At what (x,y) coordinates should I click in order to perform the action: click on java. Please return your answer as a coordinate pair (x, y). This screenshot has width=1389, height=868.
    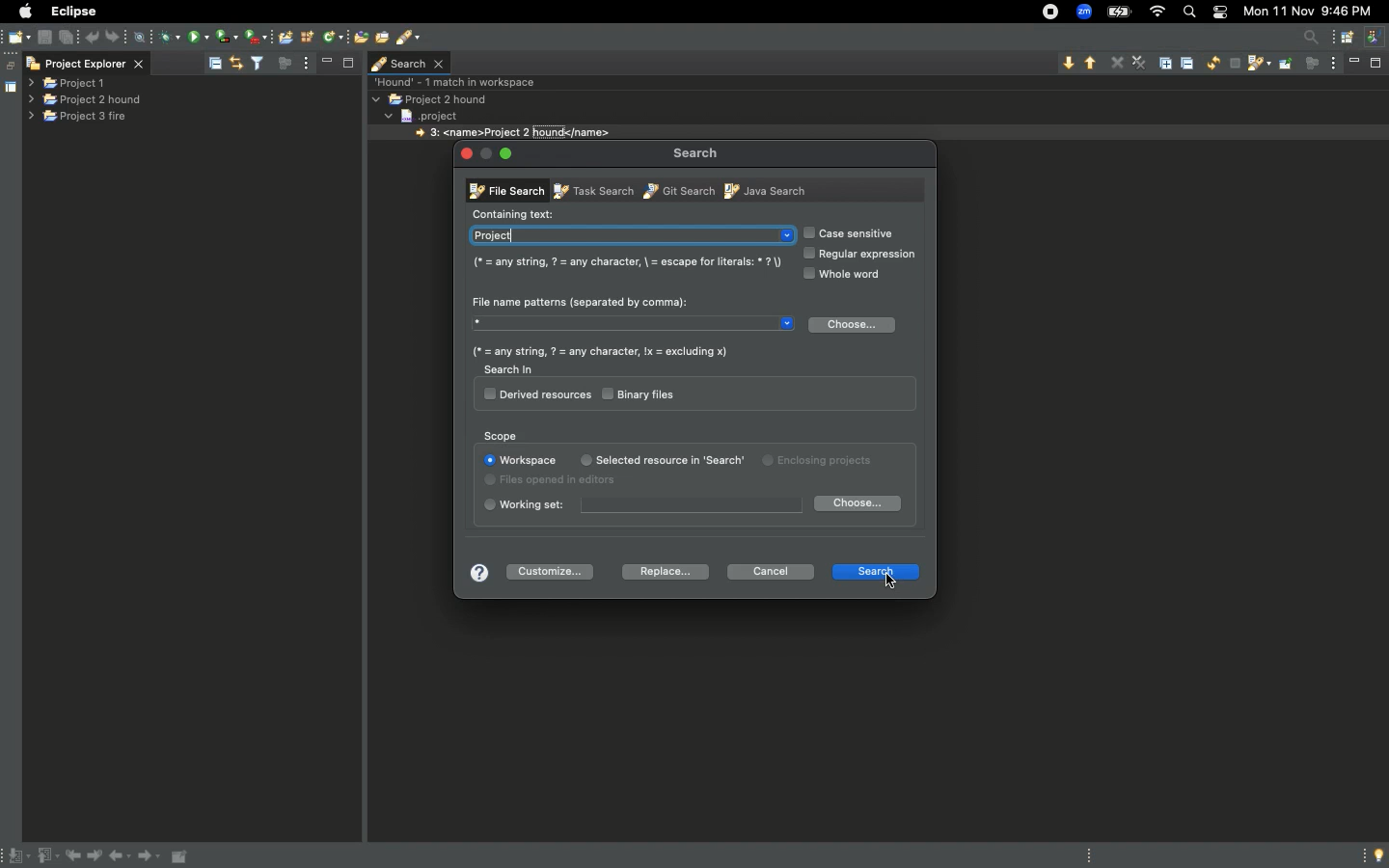
    Looking at the image, I should click on (1376, 35).